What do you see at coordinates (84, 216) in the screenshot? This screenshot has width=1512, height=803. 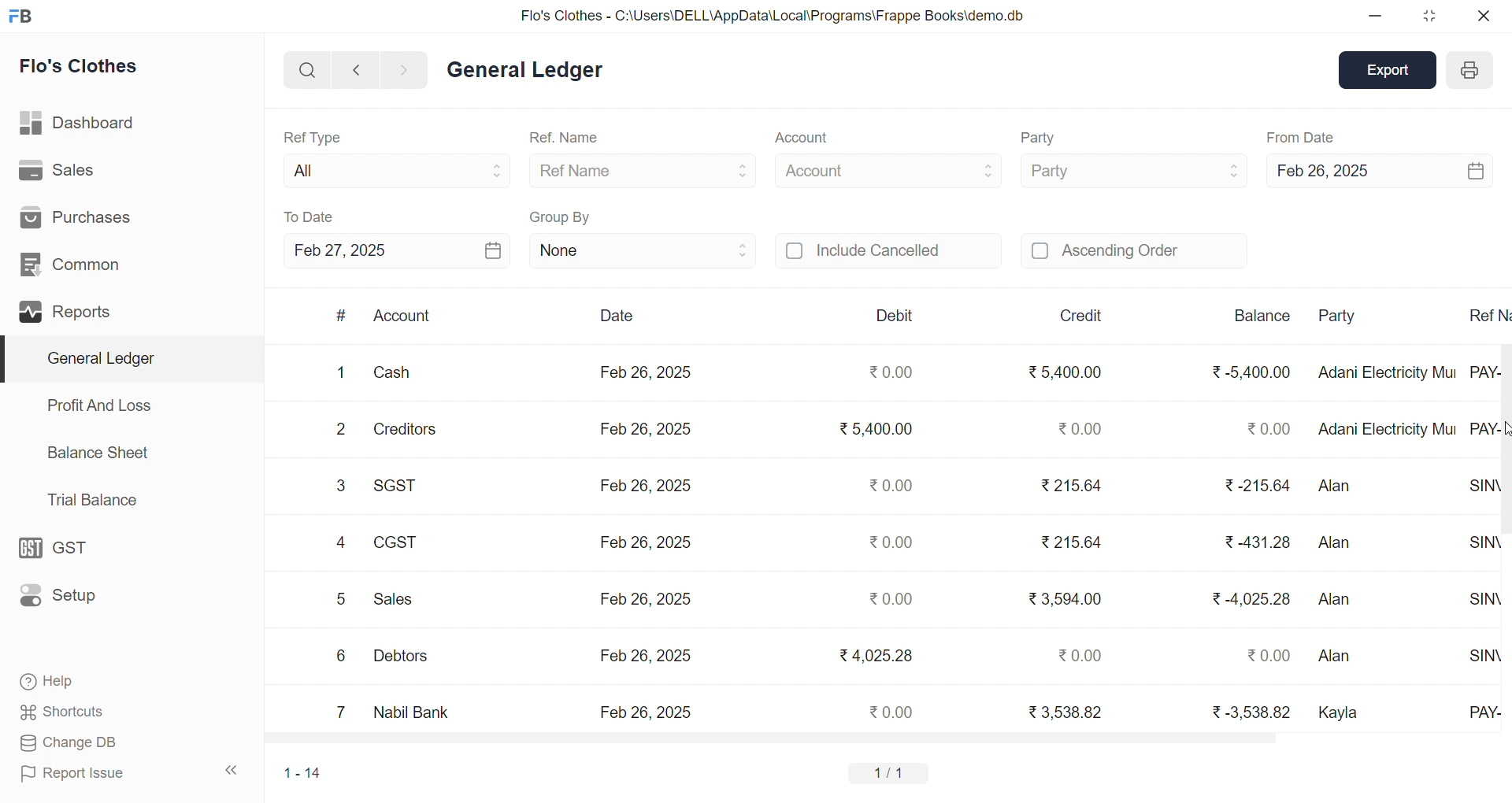 I see `Purchases` at bounding box center [84, 216].